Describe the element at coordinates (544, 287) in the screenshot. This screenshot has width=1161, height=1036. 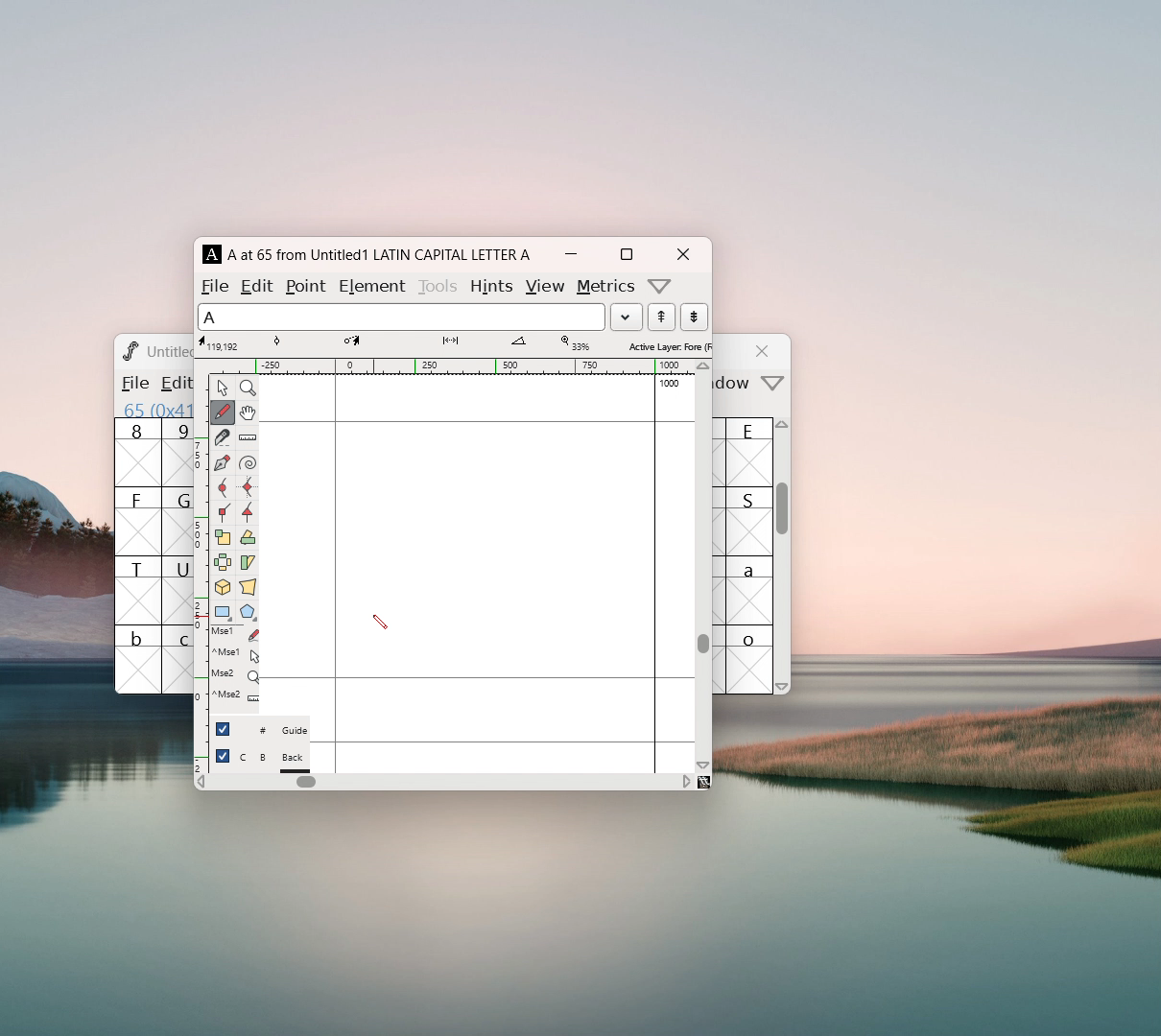
I see `view` at that location.